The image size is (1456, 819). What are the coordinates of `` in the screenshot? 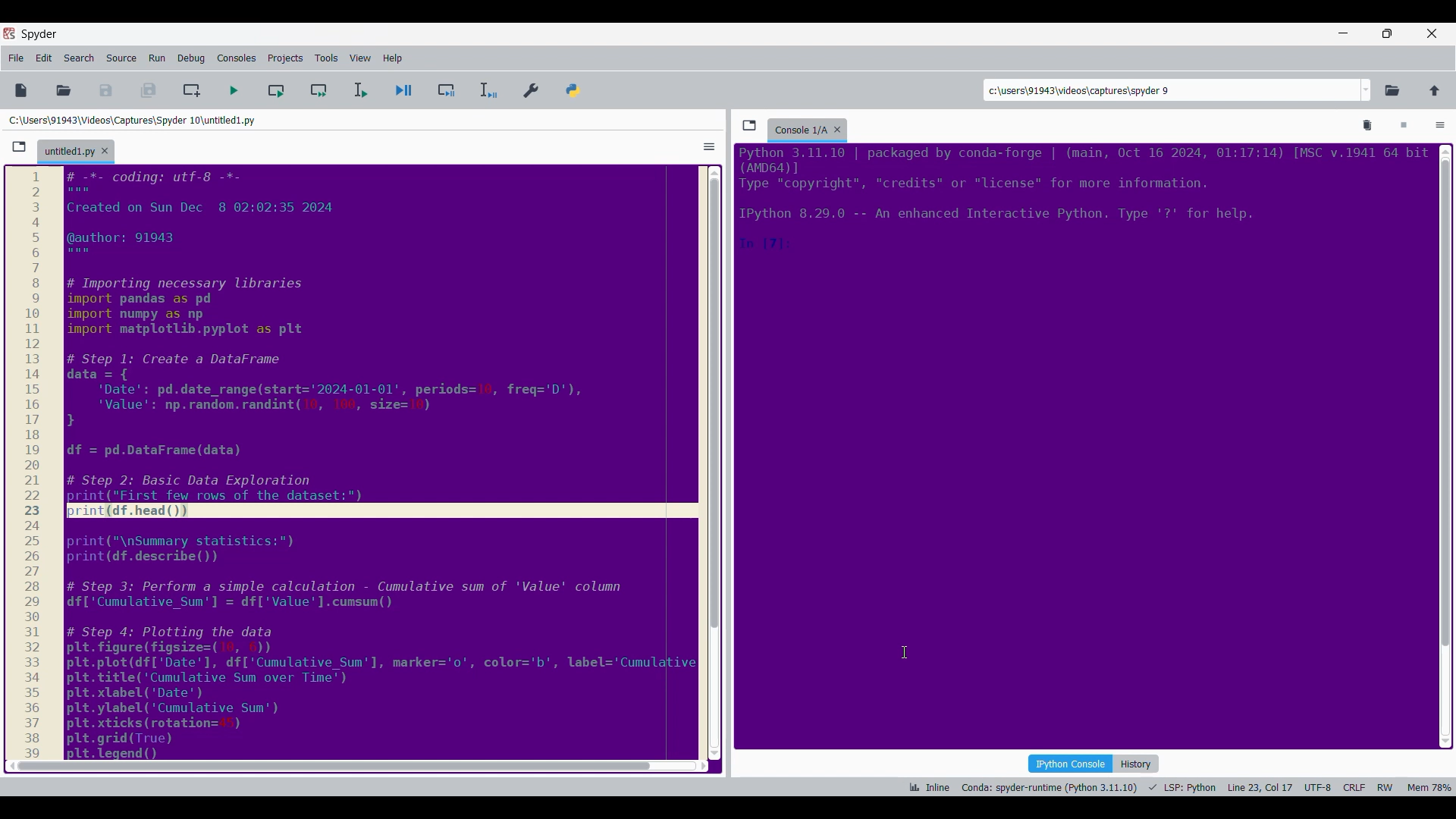 It's located at (329, 765).